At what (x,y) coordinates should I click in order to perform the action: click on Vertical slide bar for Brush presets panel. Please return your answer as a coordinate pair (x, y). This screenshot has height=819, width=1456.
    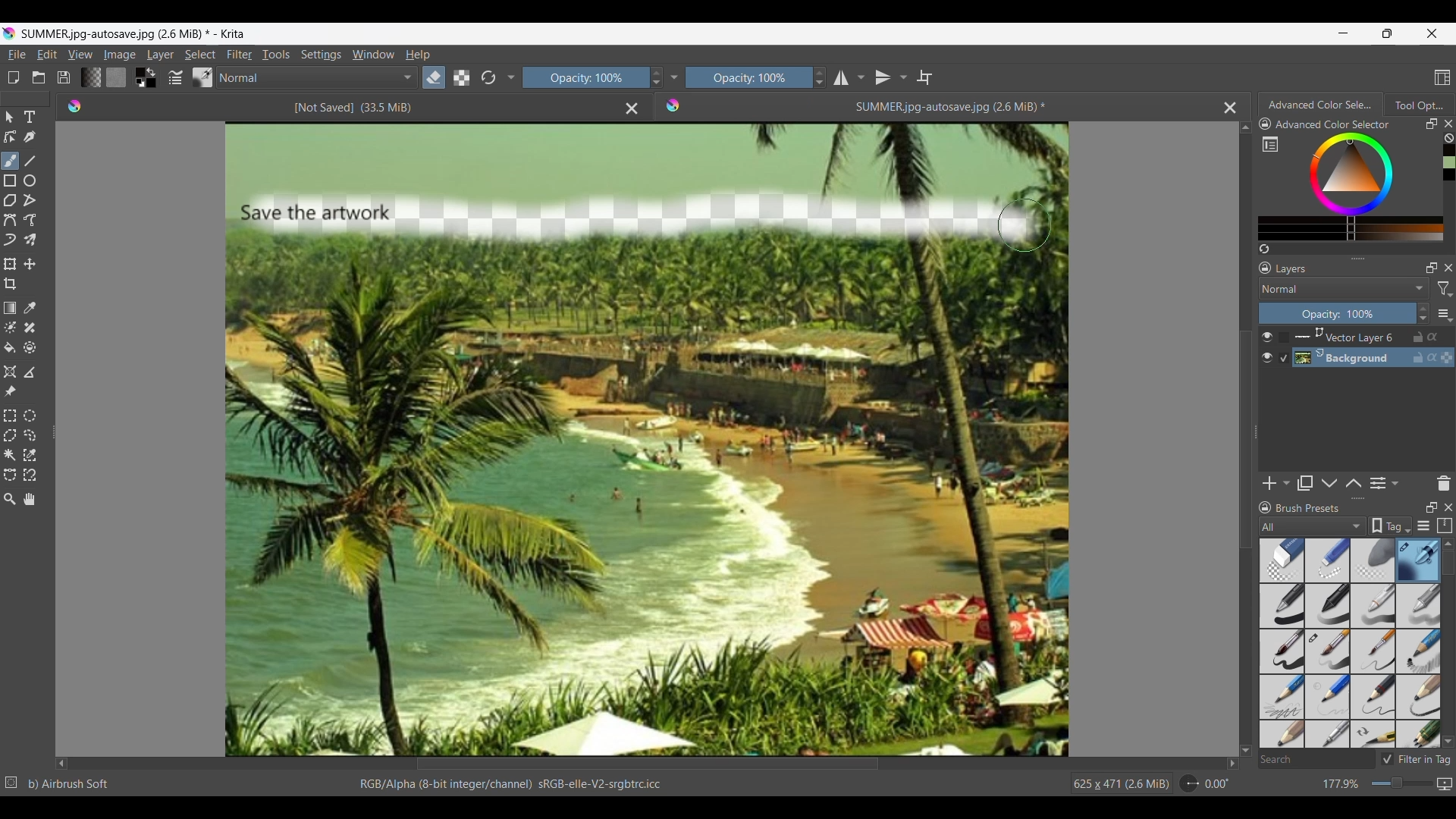
    Looking at the image, I should click on (1448, 644).